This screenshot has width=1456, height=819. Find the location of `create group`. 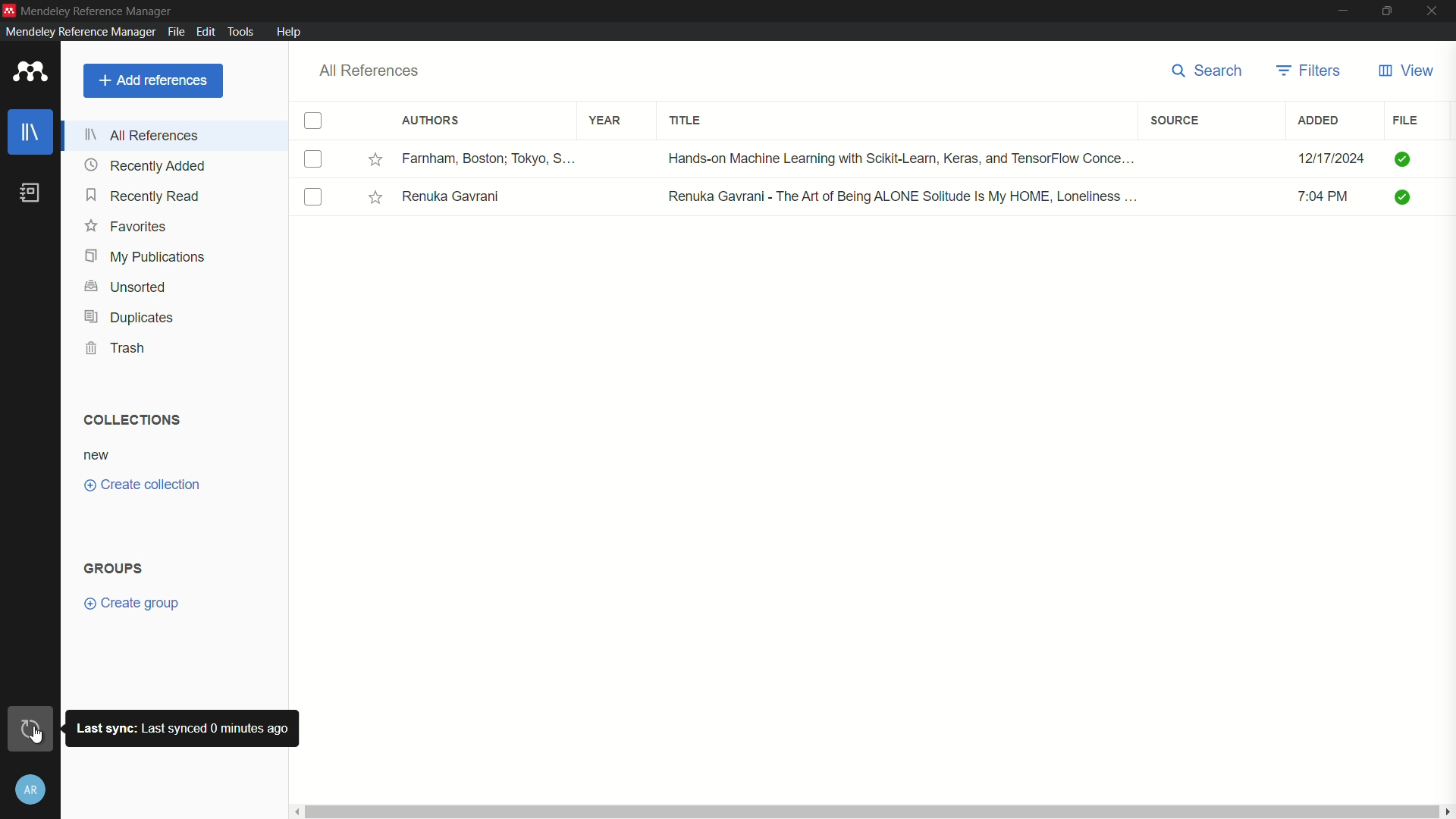

create group is located at coordinates (131, 604).